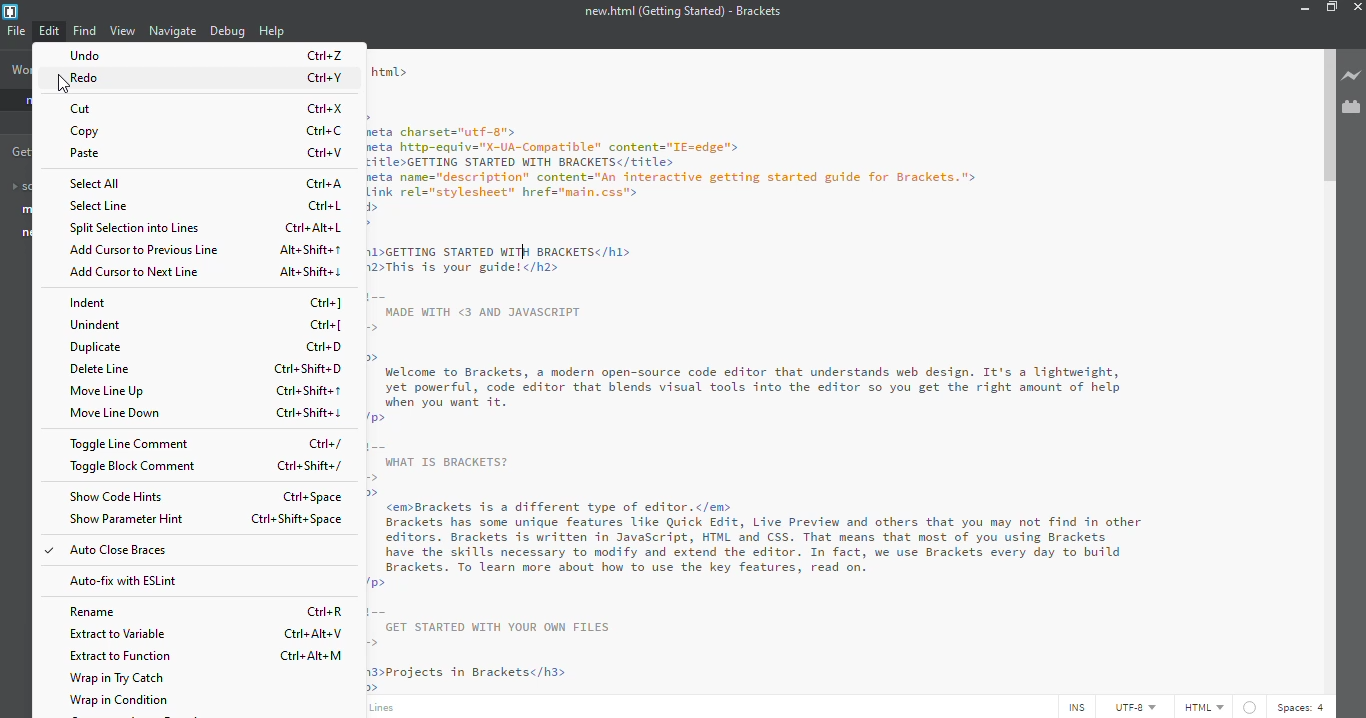  I want to click on live preview, so click(1351, 75).